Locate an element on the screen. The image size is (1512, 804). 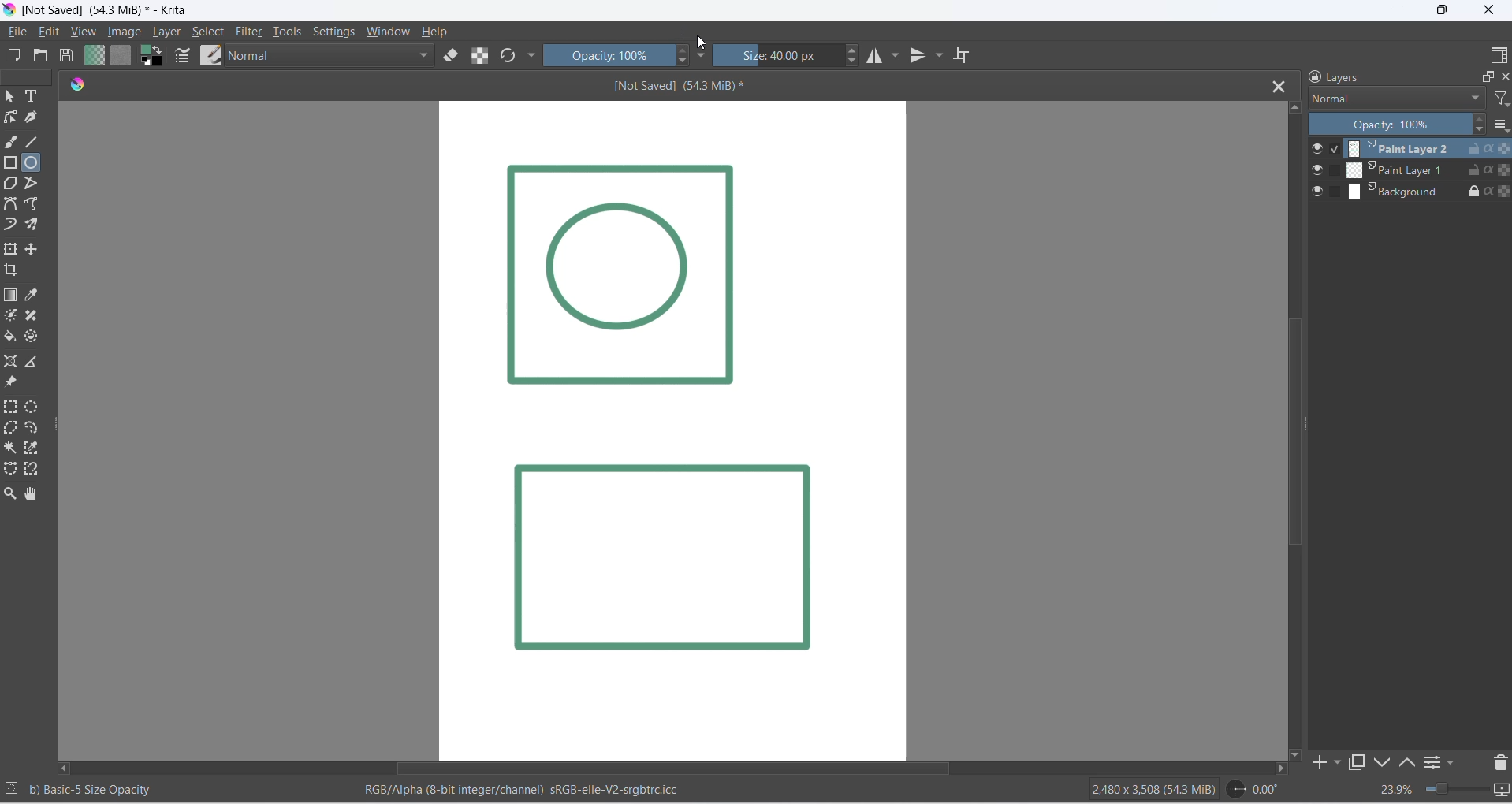
slideshow is located at coordinates (1503, 792).